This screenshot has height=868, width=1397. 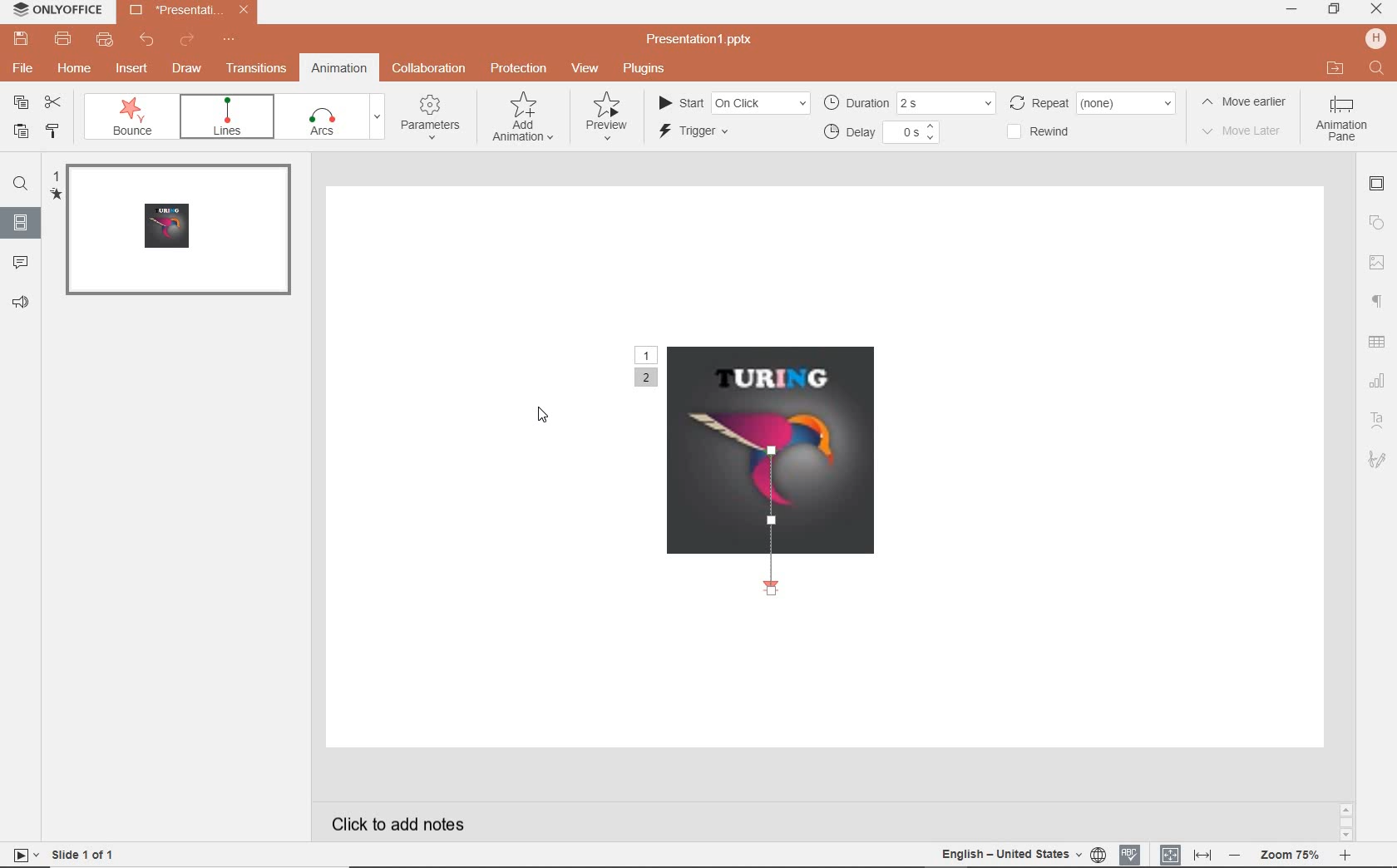 I want to click on presentation name, so click(x=189, y=9).